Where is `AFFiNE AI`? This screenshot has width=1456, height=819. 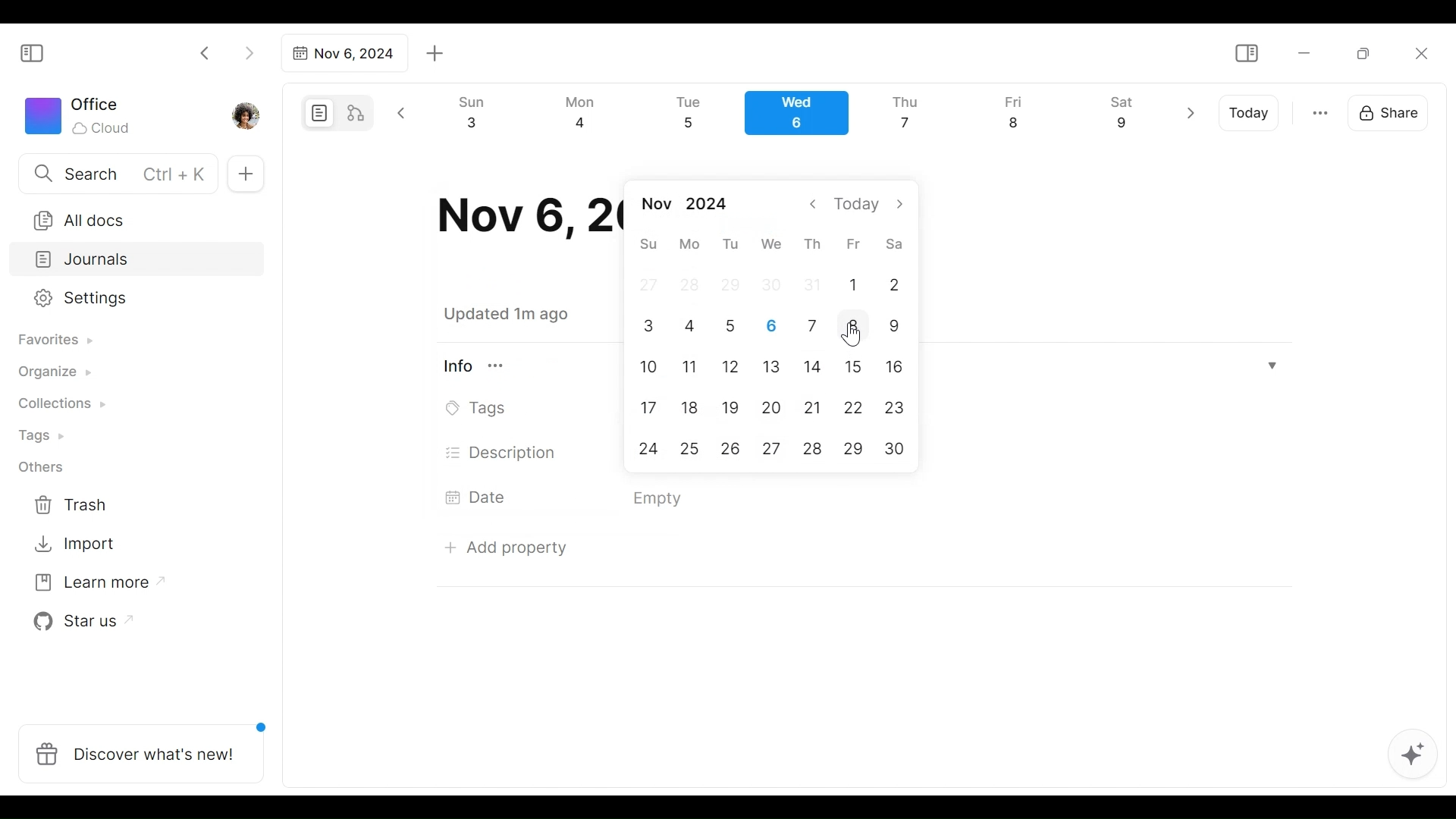 AFFiNE AI is located at coordinates (1413, 756).